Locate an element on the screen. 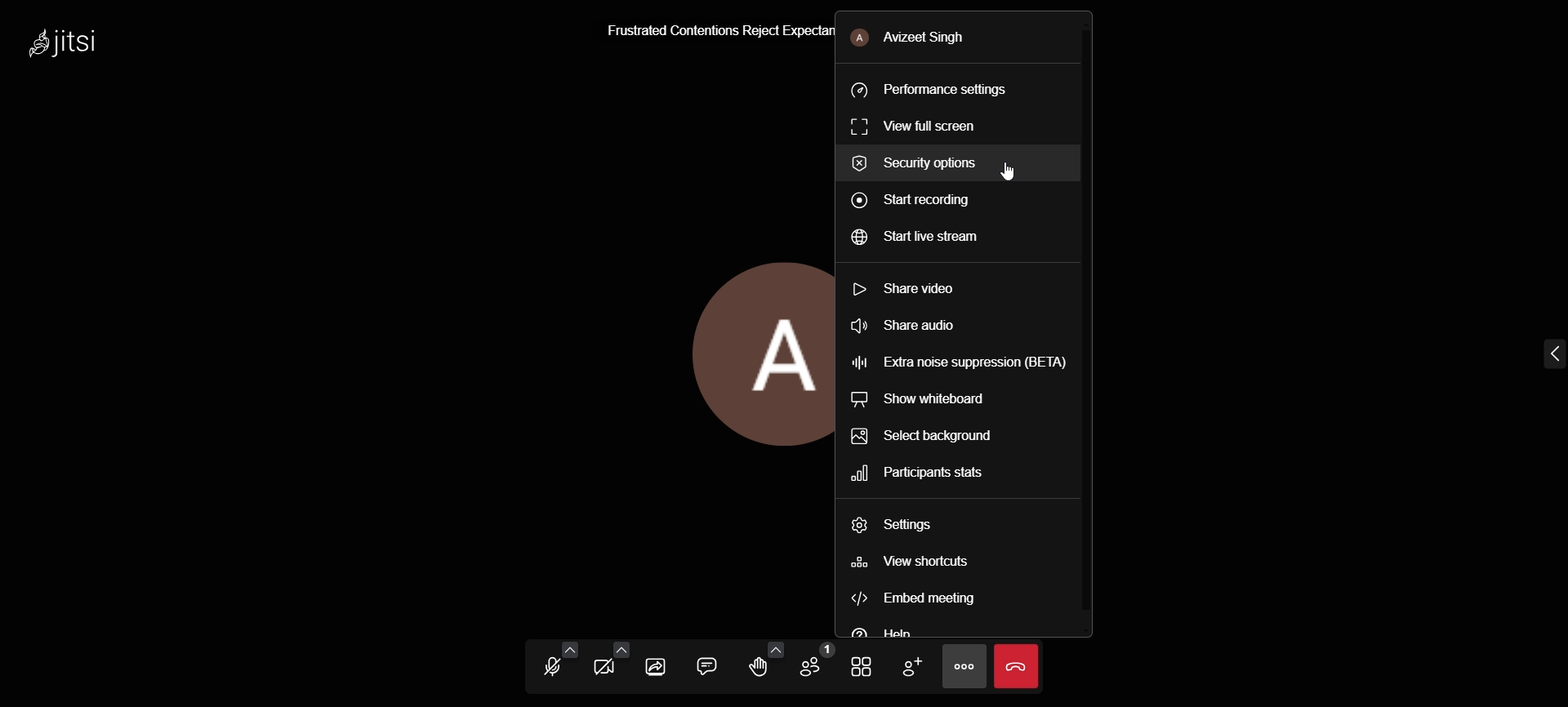  Frustrated Contentions Reject Expectan is located at coordinates (715, 30).